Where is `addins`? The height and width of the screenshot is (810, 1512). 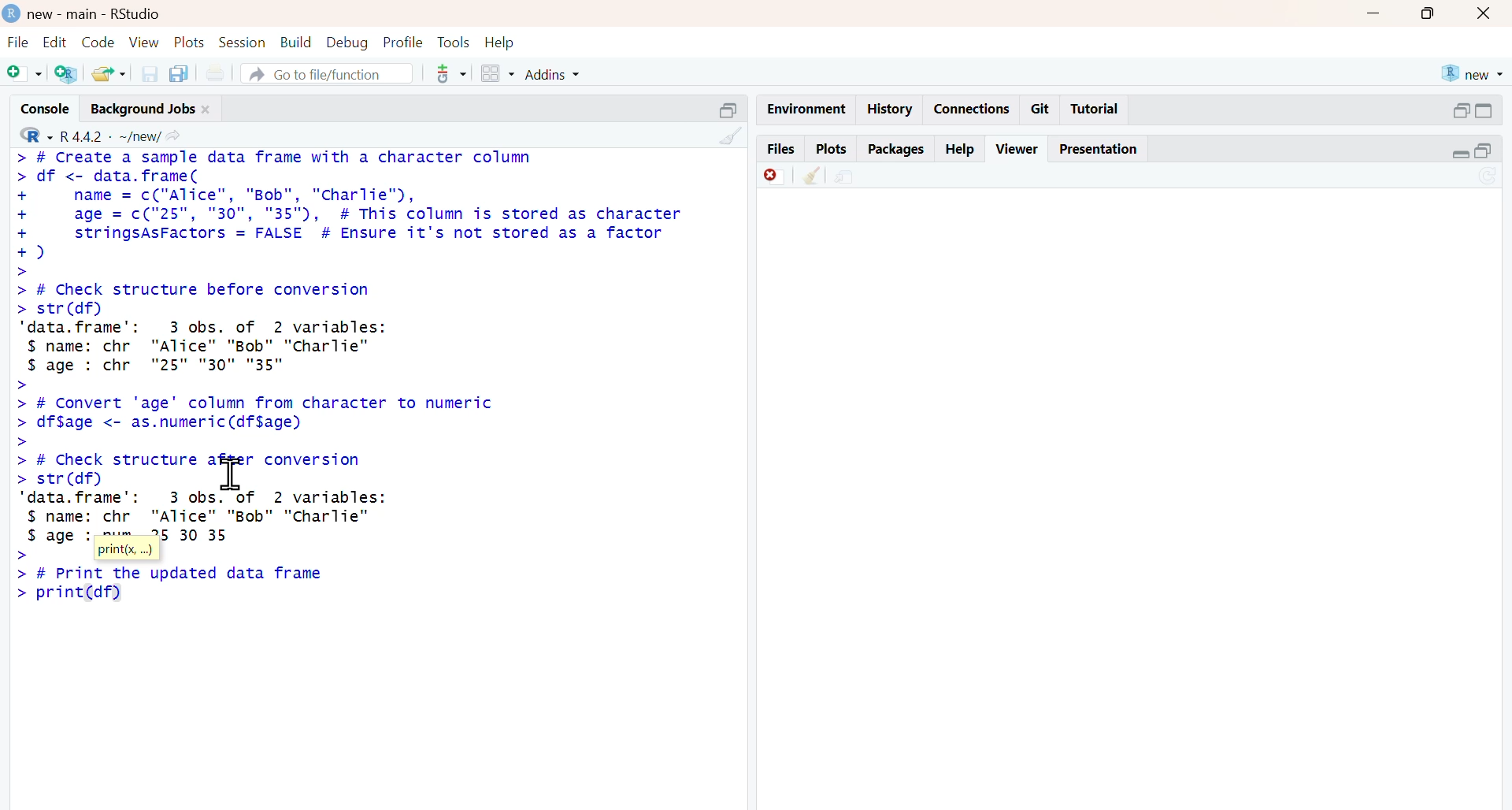
addins is located at coordinates (553, 75).